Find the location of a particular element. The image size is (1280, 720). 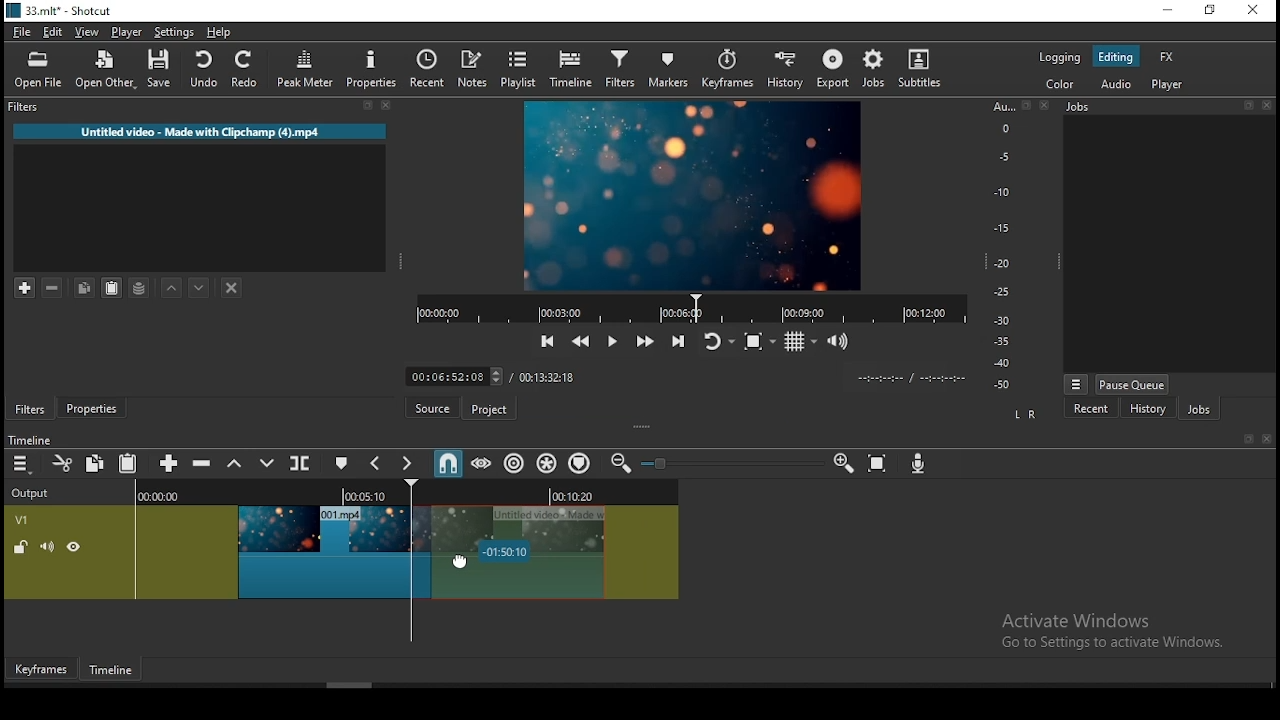

record audio is located at coordinates (920, 466).